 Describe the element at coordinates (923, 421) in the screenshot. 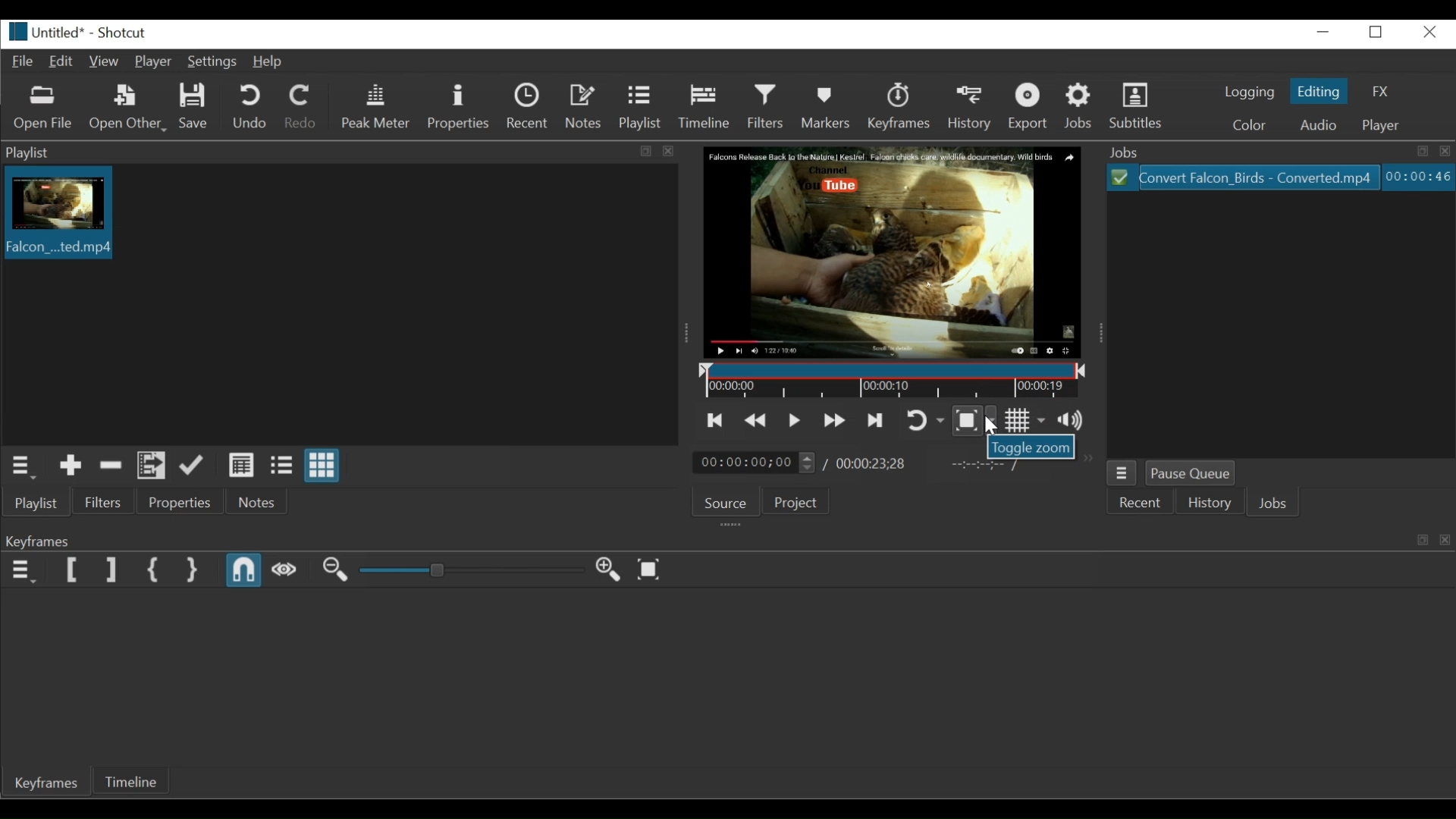

I see `Toggle player looping` at that location.